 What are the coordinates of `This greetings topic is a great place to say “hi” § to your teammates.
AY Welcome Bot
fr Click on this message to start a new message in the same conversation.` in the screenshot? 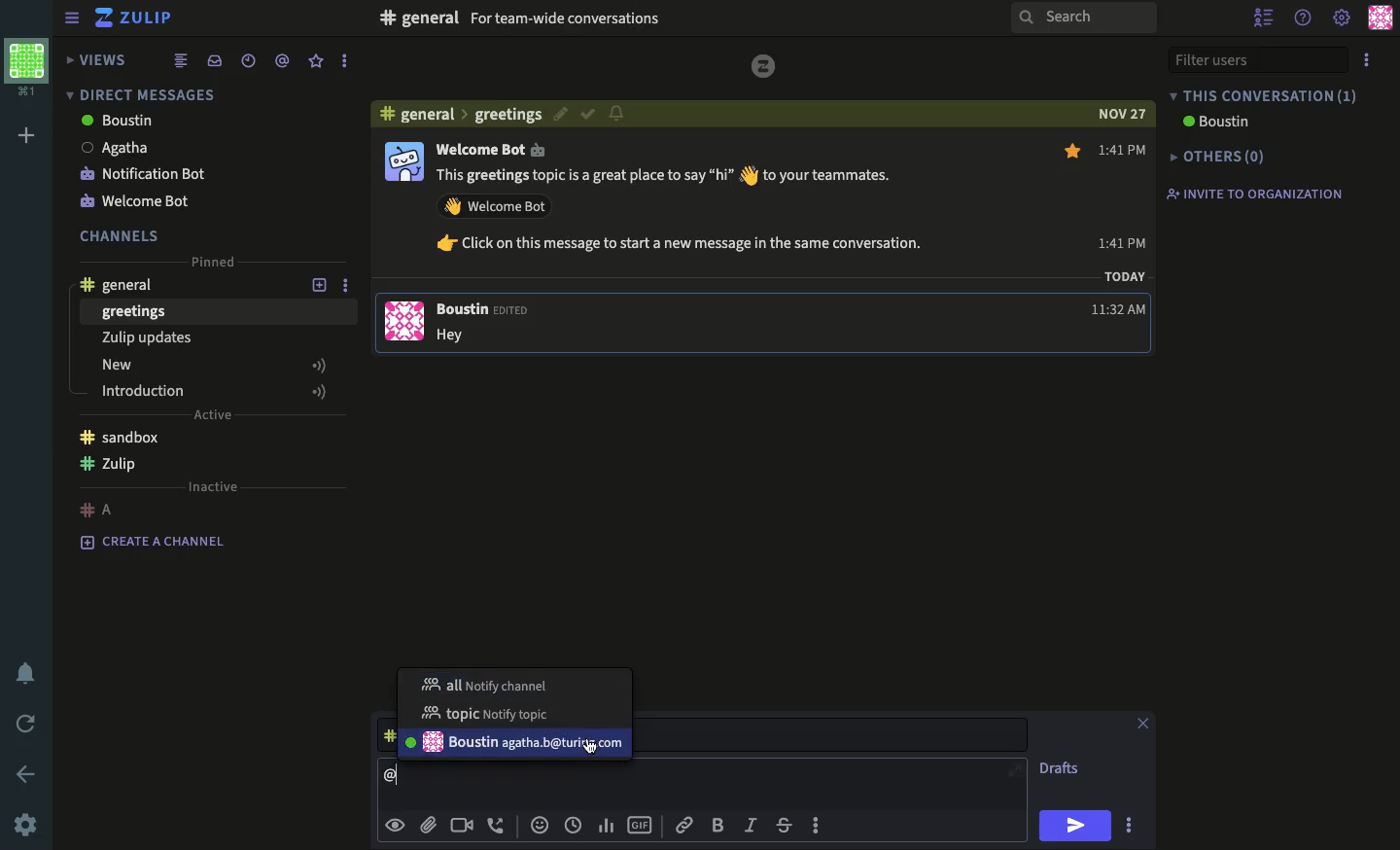 It's located at (684, 212).